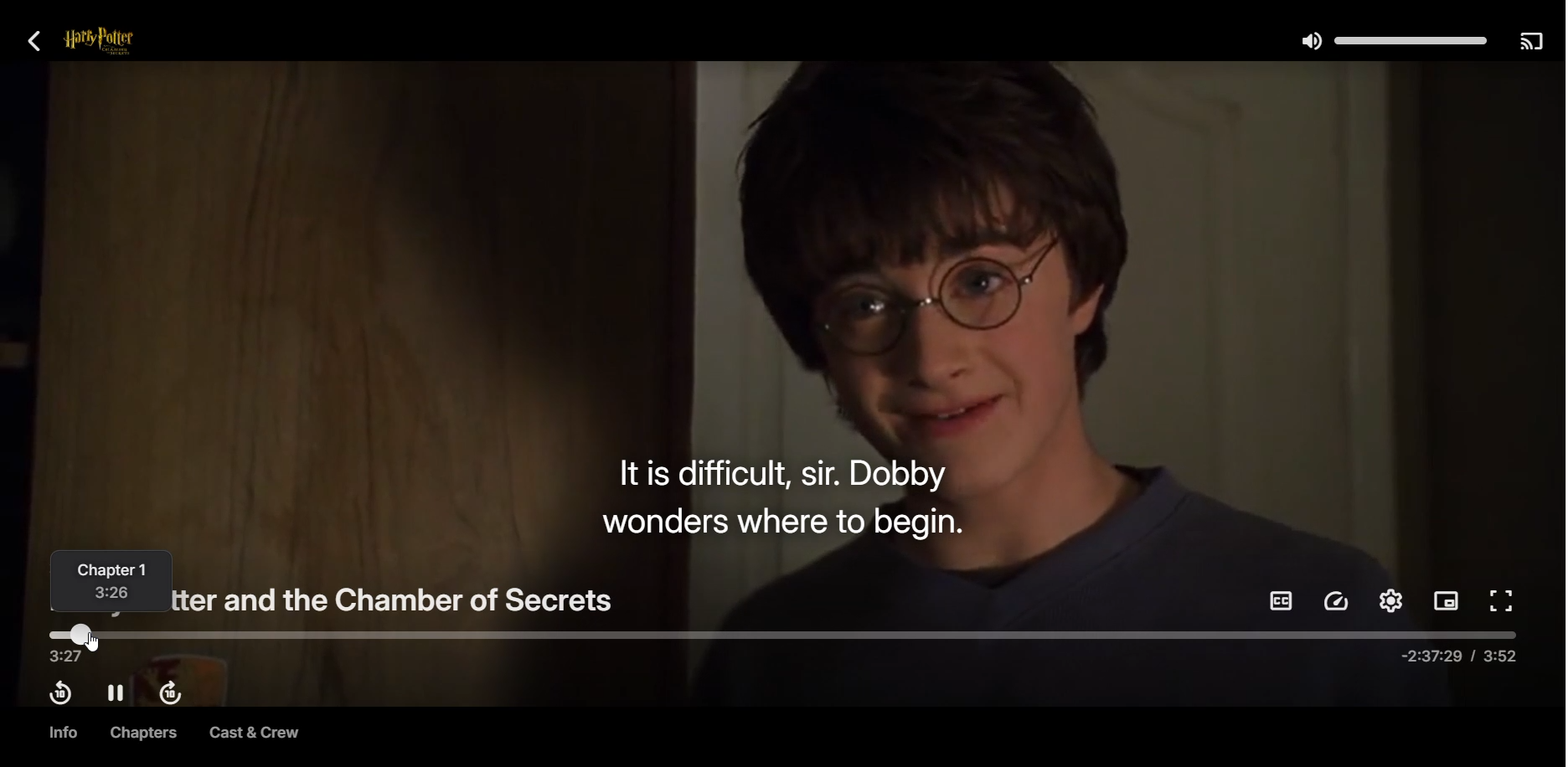 This screenshot has width=1568, height=767. I want to click on Movie Timeline, so click(783, 646).